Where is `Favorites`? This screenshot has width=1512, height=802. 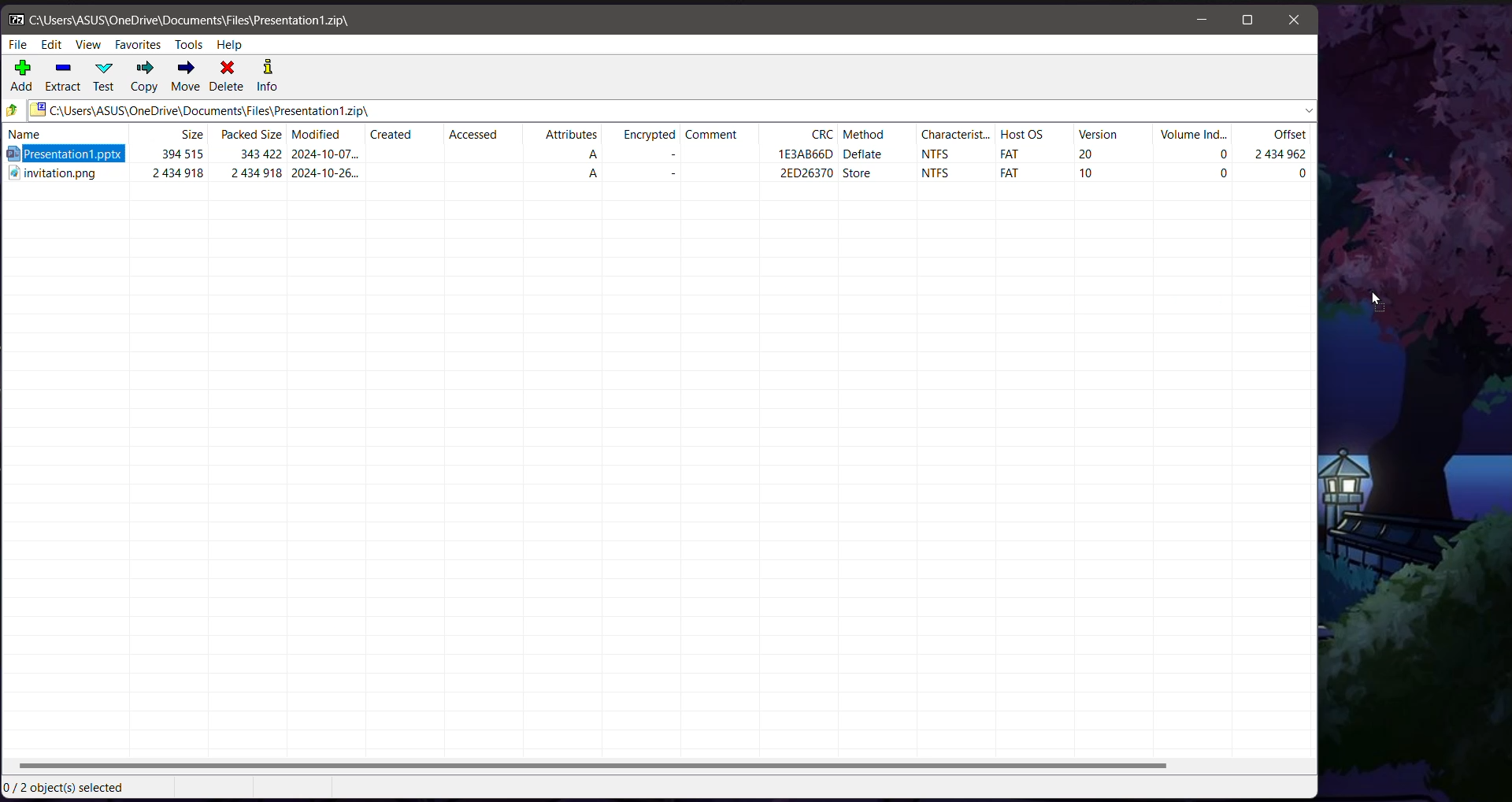 Favorites is located at coordinates (139, 45).